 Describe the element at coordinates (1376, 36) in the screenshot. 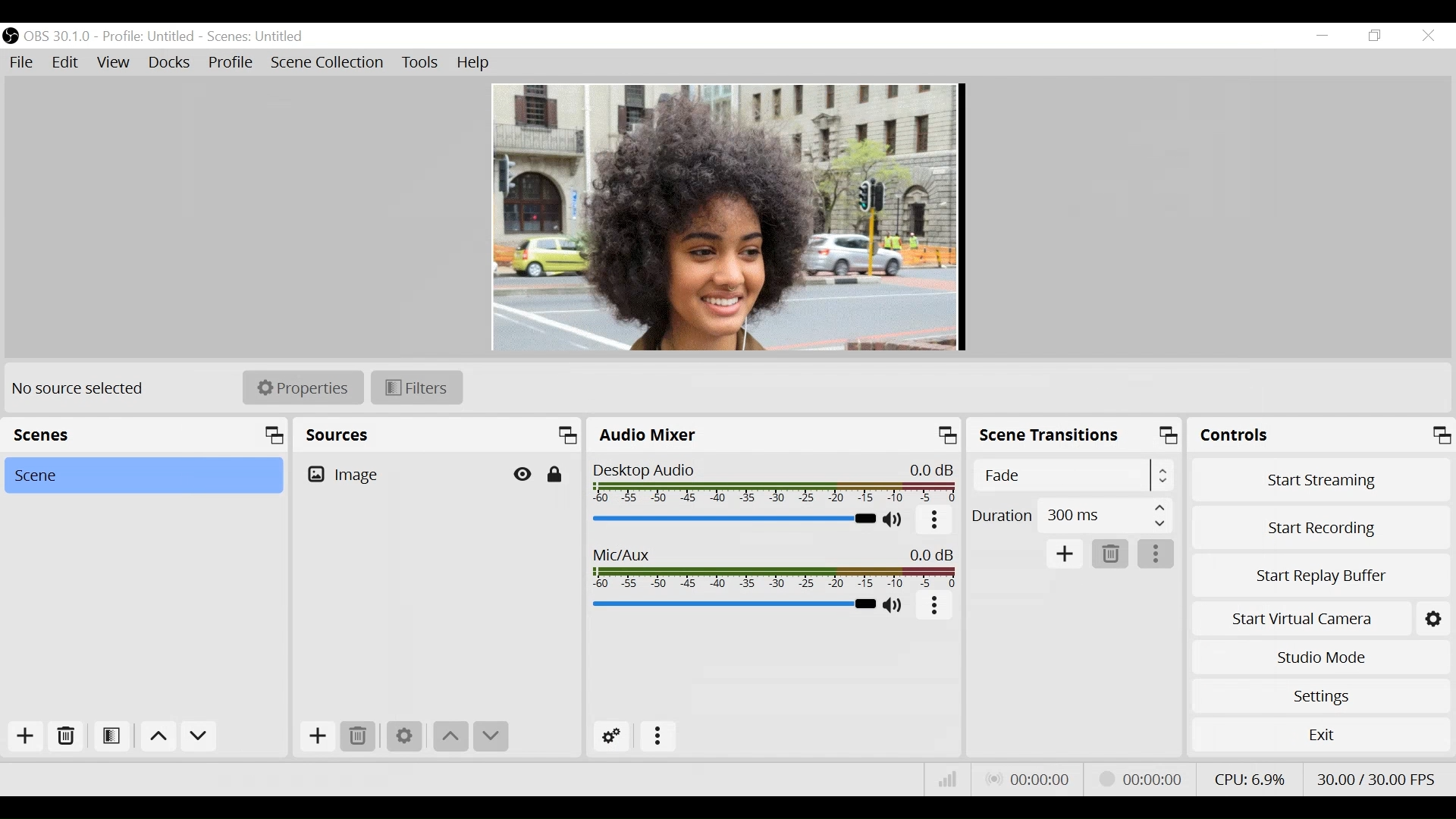

I see `Restore` at that location.